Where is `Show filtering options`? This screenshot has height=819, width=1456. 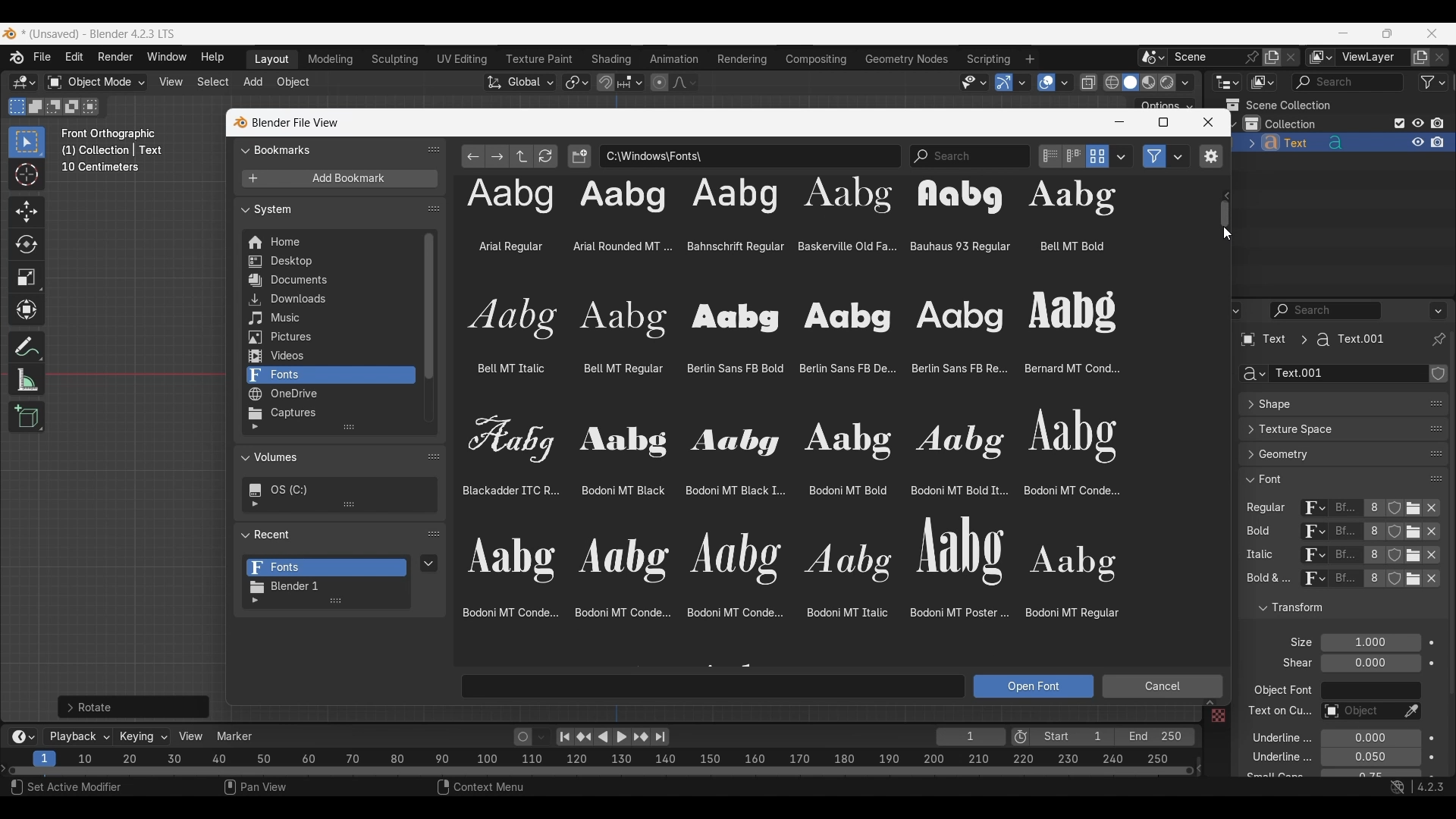
Show filtering options is located at coordinates (255, 504).